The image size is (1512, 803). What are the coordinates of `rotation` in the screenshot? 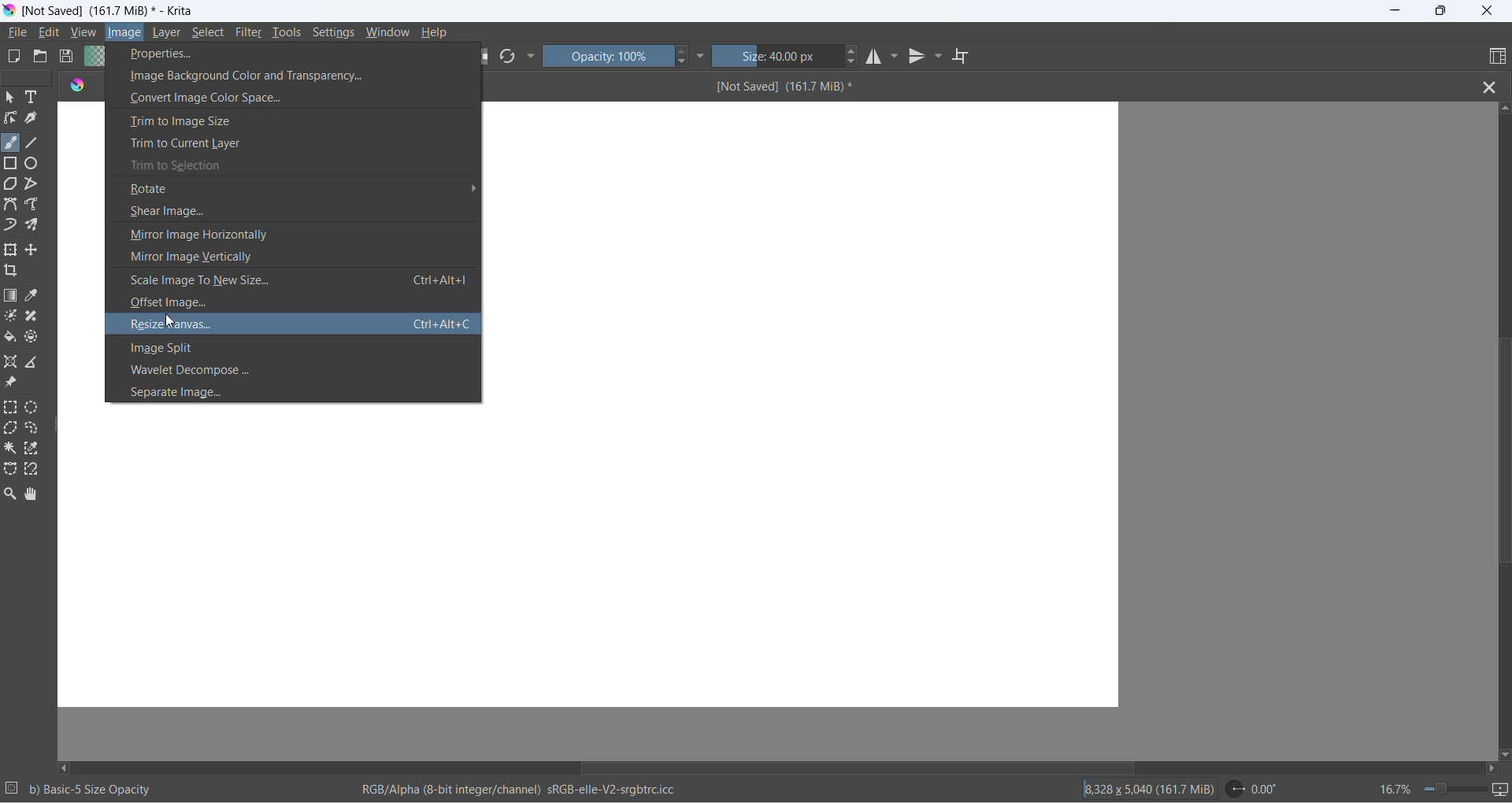 It's located at (1258, 789).